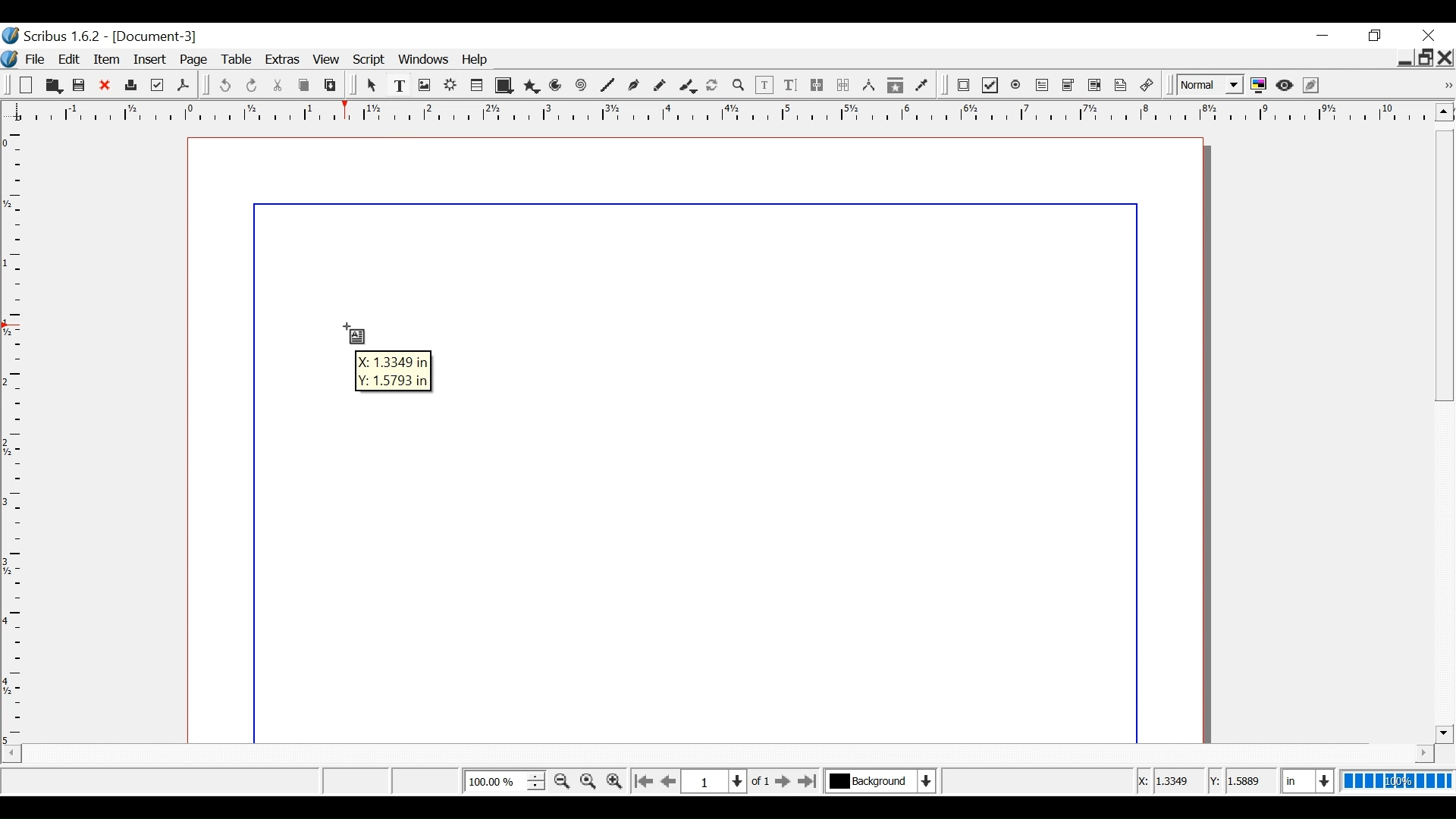 The height and width of the screenshot is (819, 1456). Describe the element at coordinates (1313, 85) in the screenshot. I see `Edit in Preview mode` at that location.